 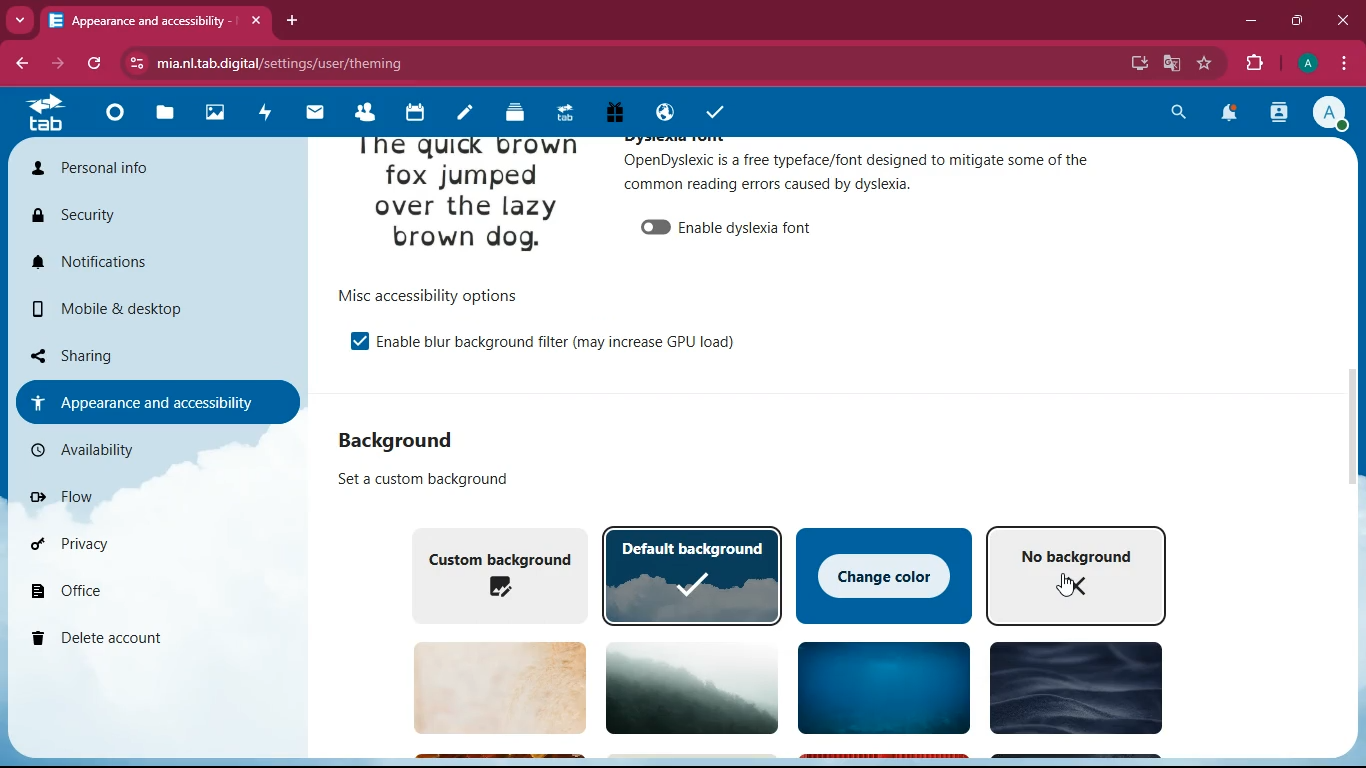 What do you see at coordinates (100, 64) in the screenshot?
I see `refresh` at bounding box center [100, 64].